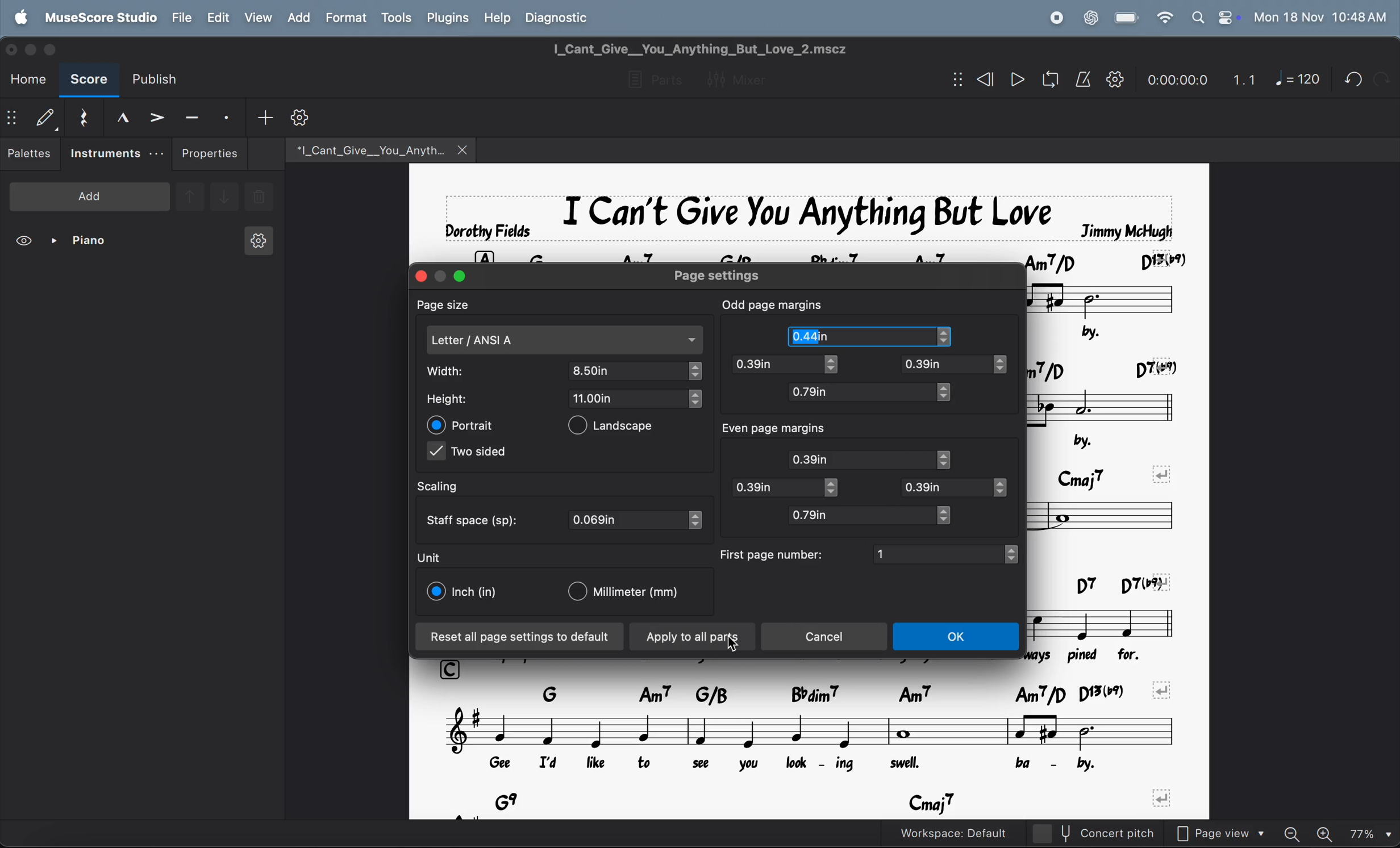 The image size is (1400, 848). Describe the element at coordinates (1244, 77) in the screenshot. I see `1.1` at that location.